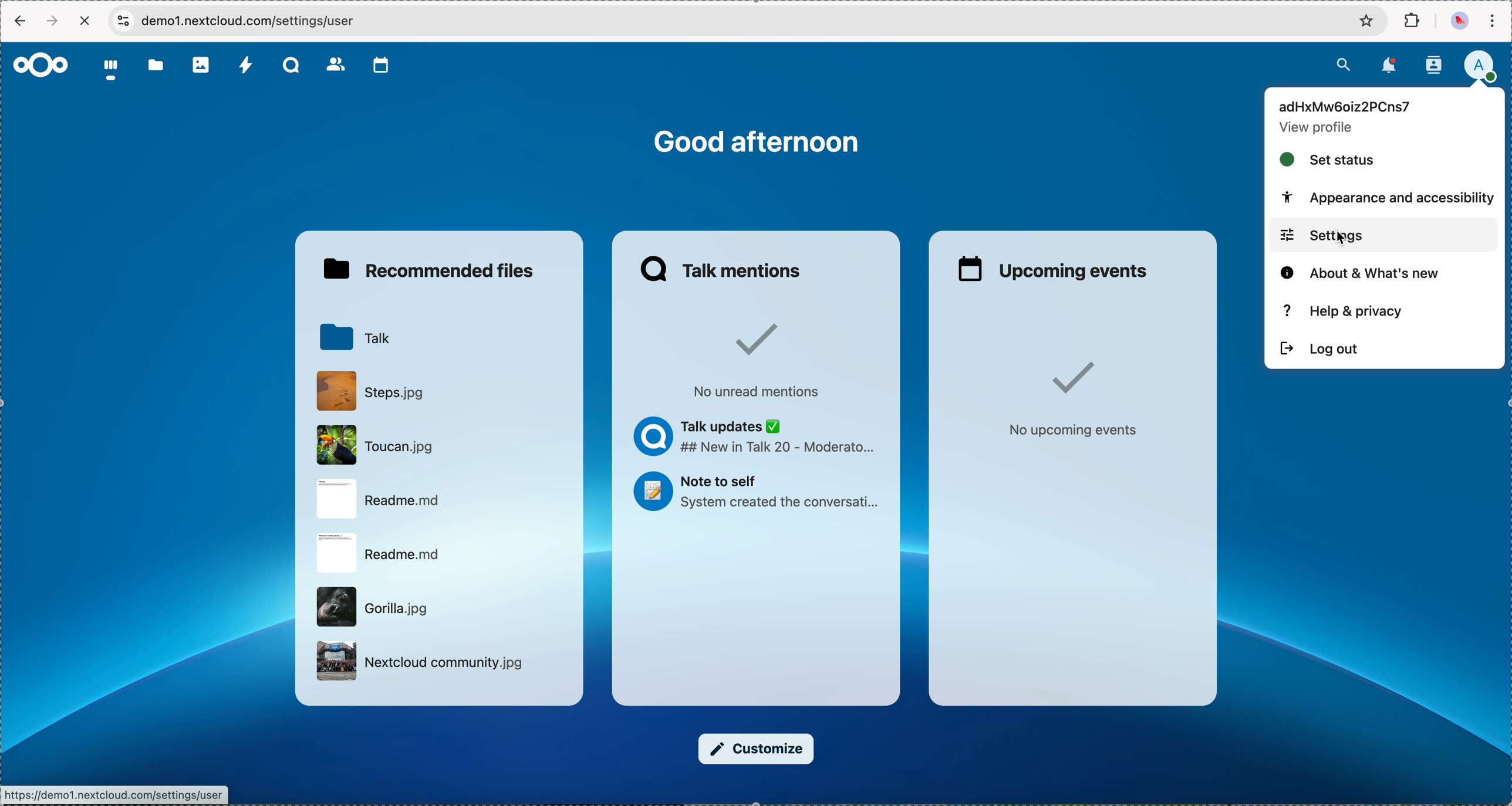  What do you see at coordinates (423, 662) in the screenshot?
I see `file` at bounding box center [423, 662].